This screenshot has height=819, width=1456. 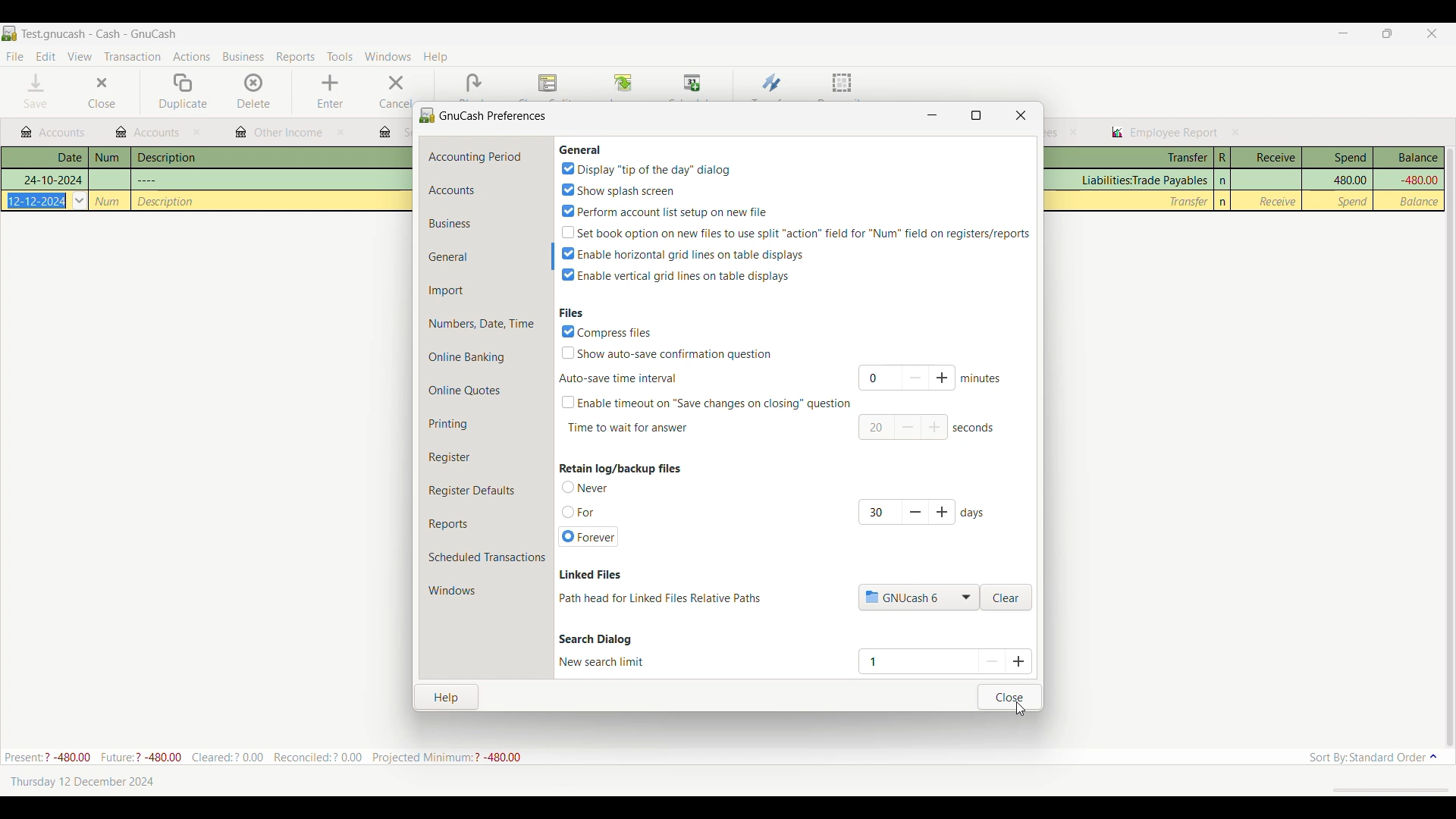 What do you see at coordinates (80, 200) in the screenshot?
I see `Click to see calendar` at bounding box center [80, 200].